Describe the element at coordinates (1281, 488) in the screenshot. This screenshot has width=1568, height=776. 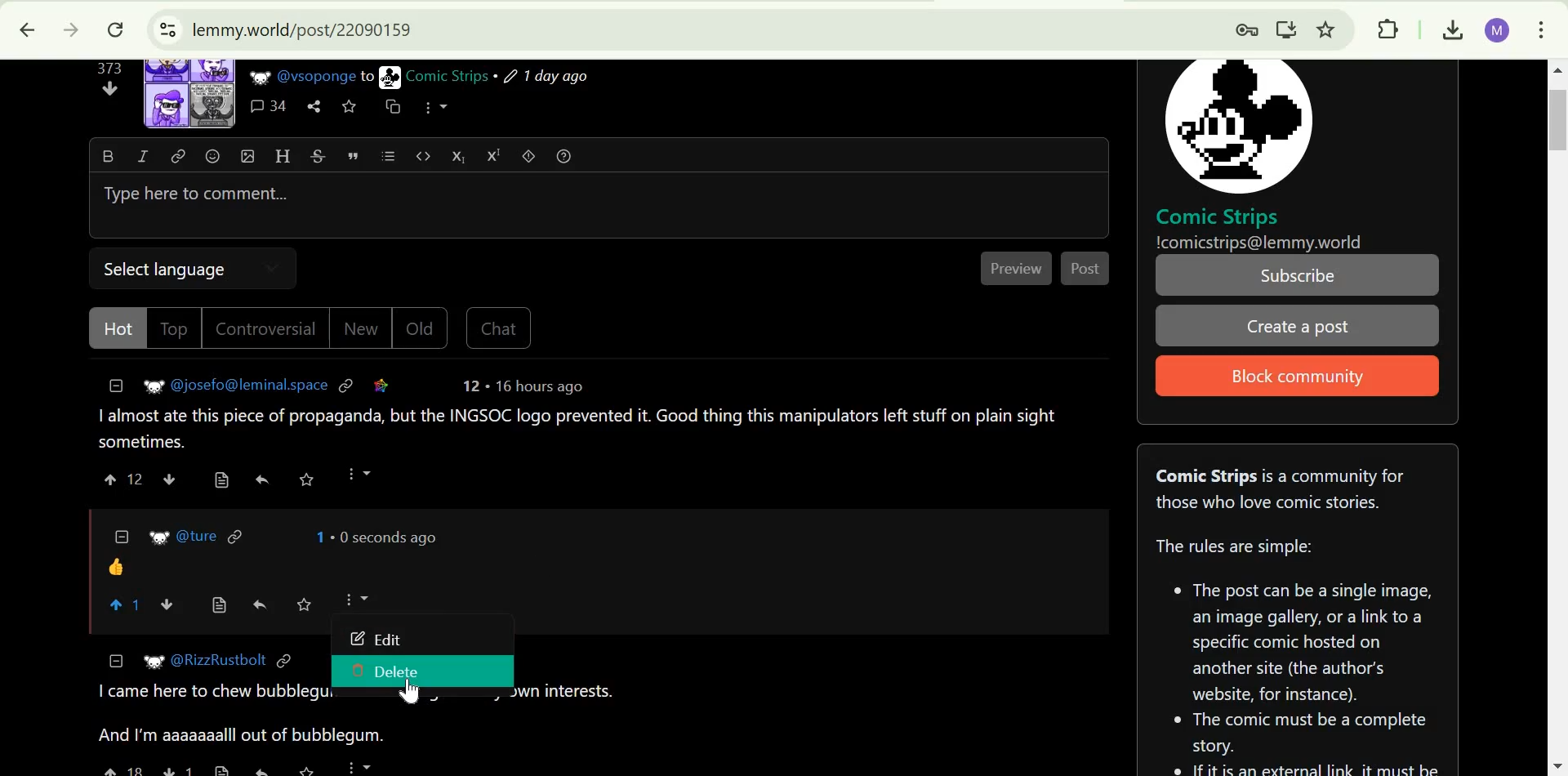
I see `About section` at that location.